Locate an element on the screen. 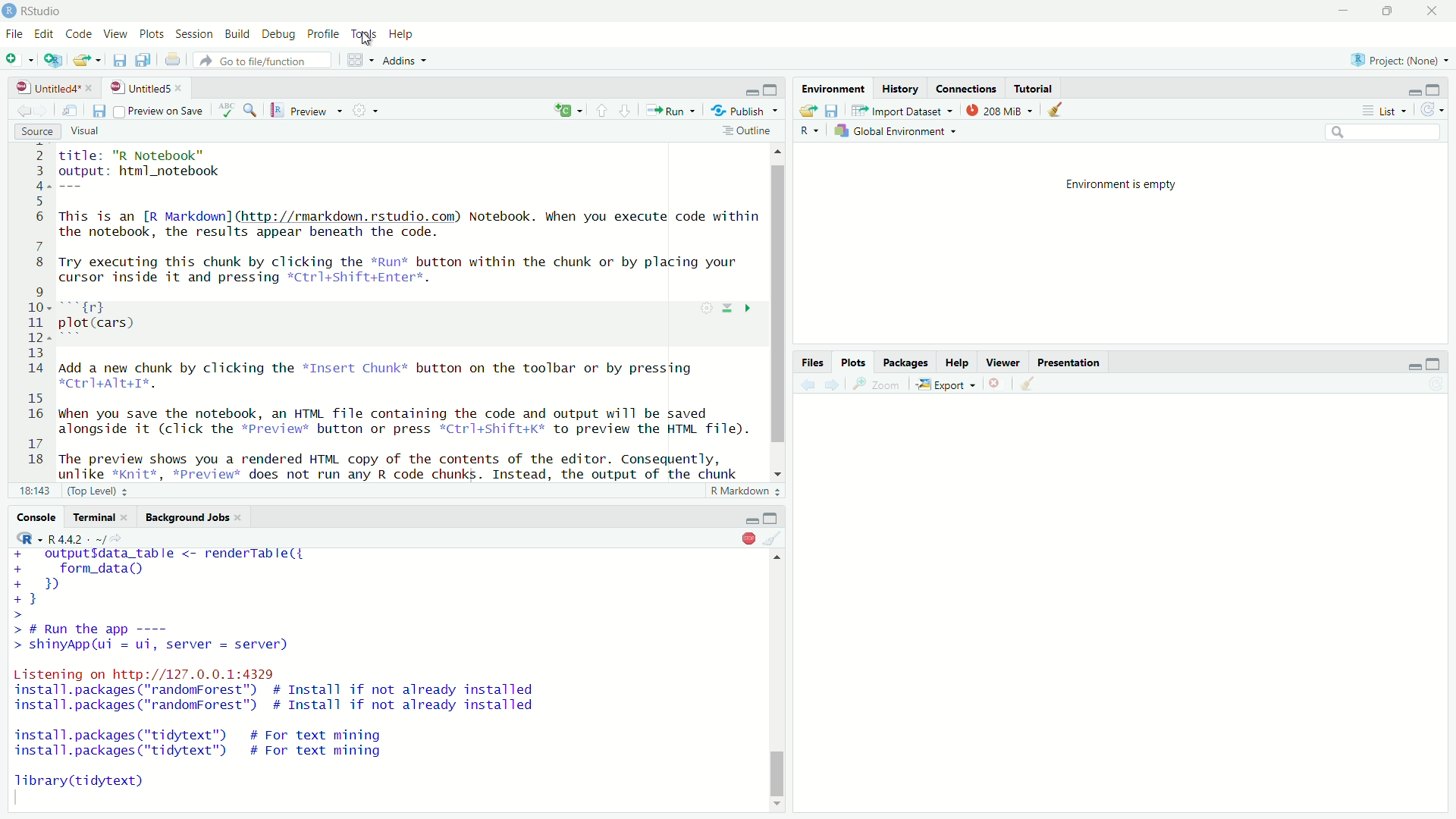 This screenshot has width=1456, height=819. clear object is located at coordinates (1053, 110).